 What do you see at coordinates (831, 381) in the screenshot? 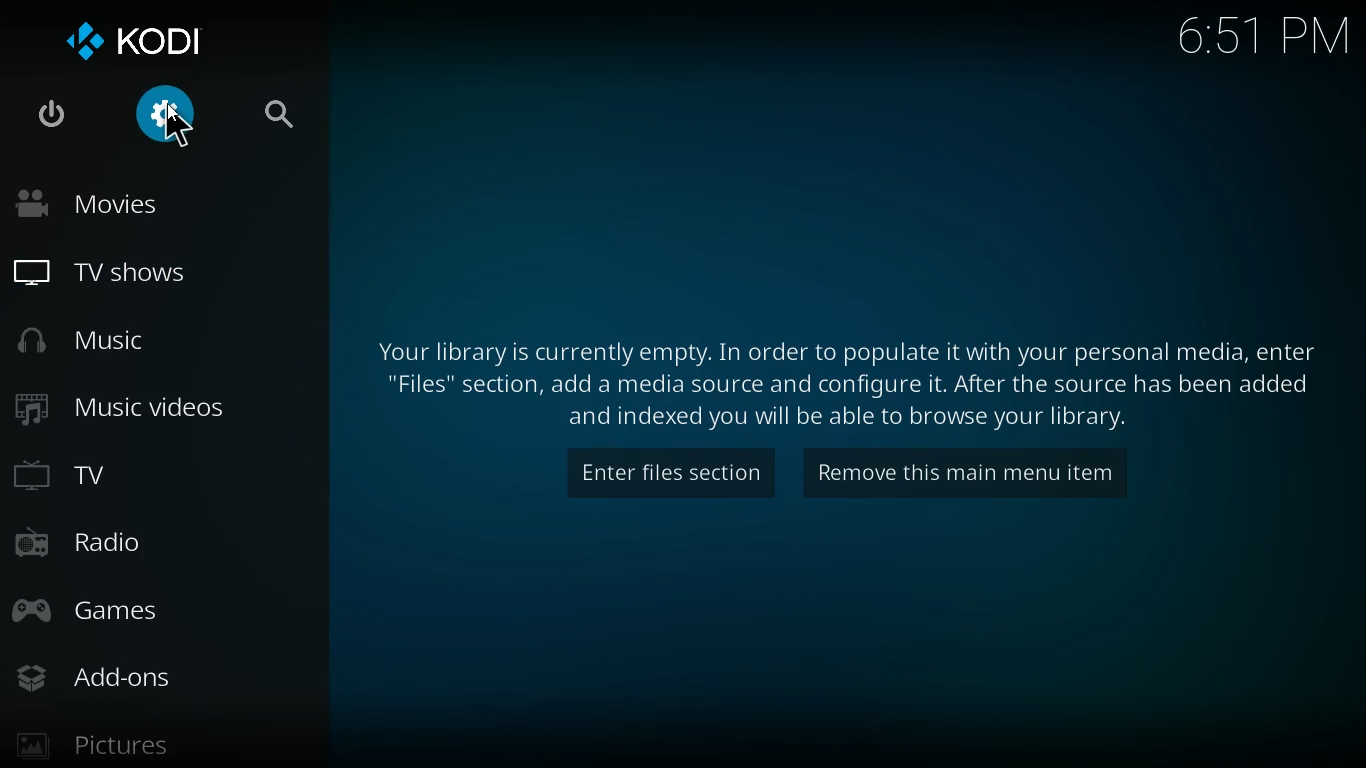
I see `message` at bounding box center [831, 381].